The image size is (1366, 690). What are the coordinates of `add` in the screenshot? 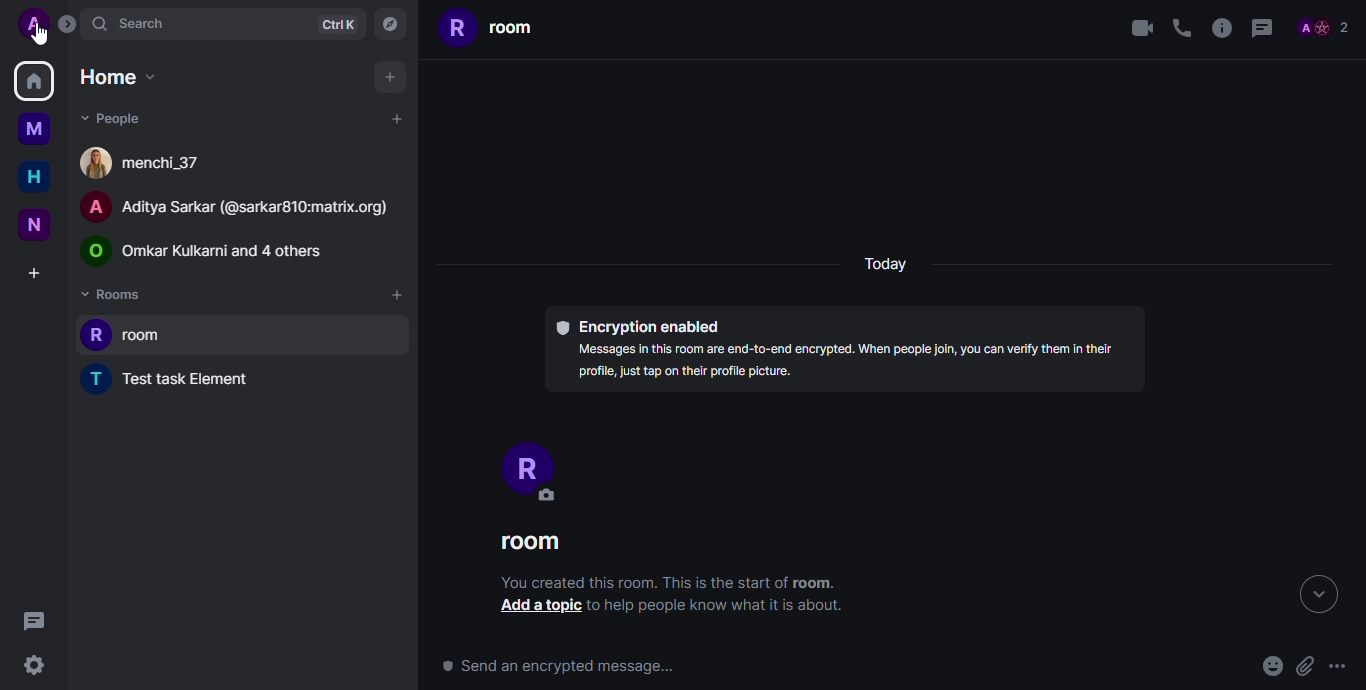 It's located at (395, 118).